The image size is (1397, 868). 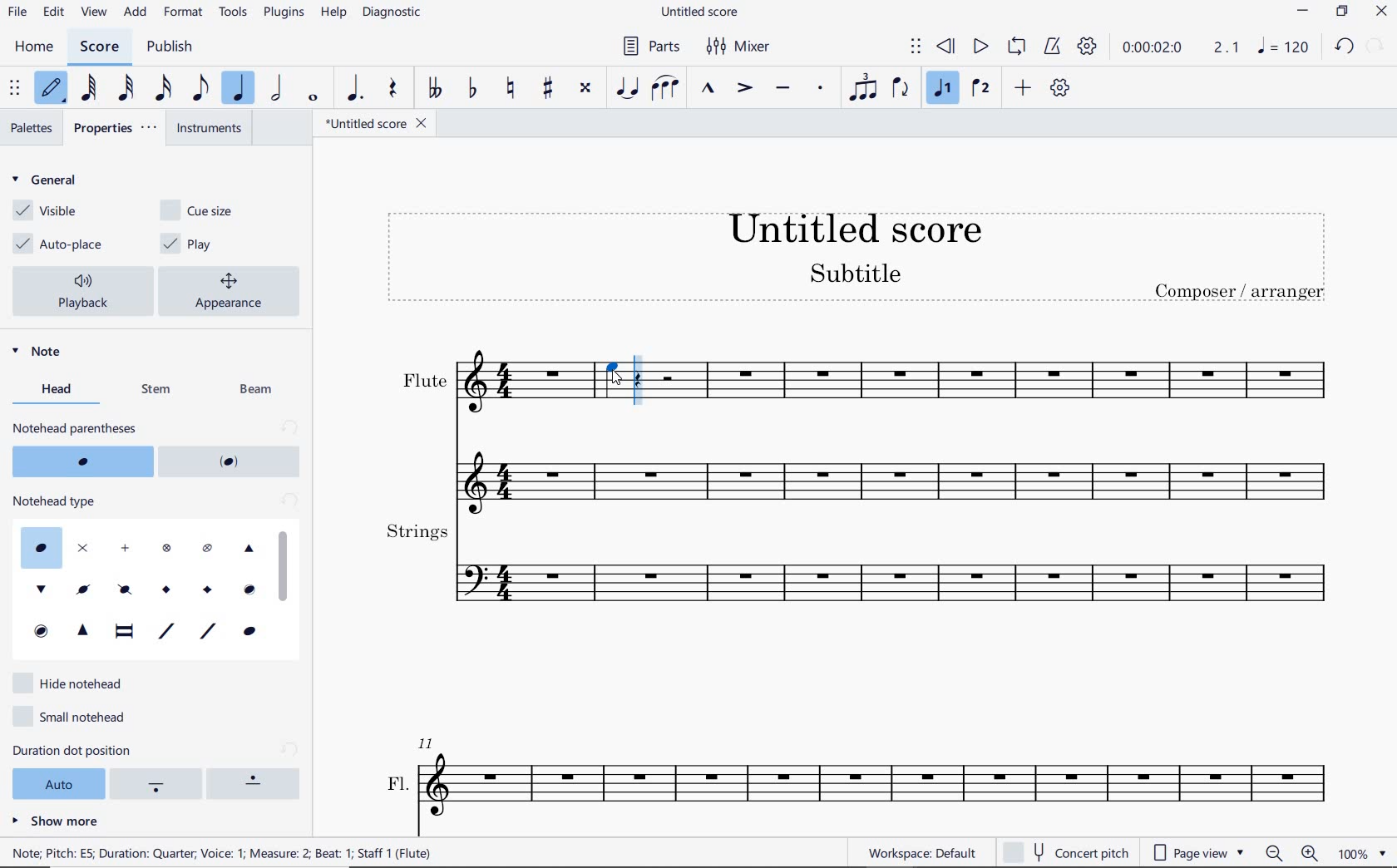 What do you see at coordinates (259, 389) in the screenshot?
I see `BEAM` at bounding box center [259, 389].